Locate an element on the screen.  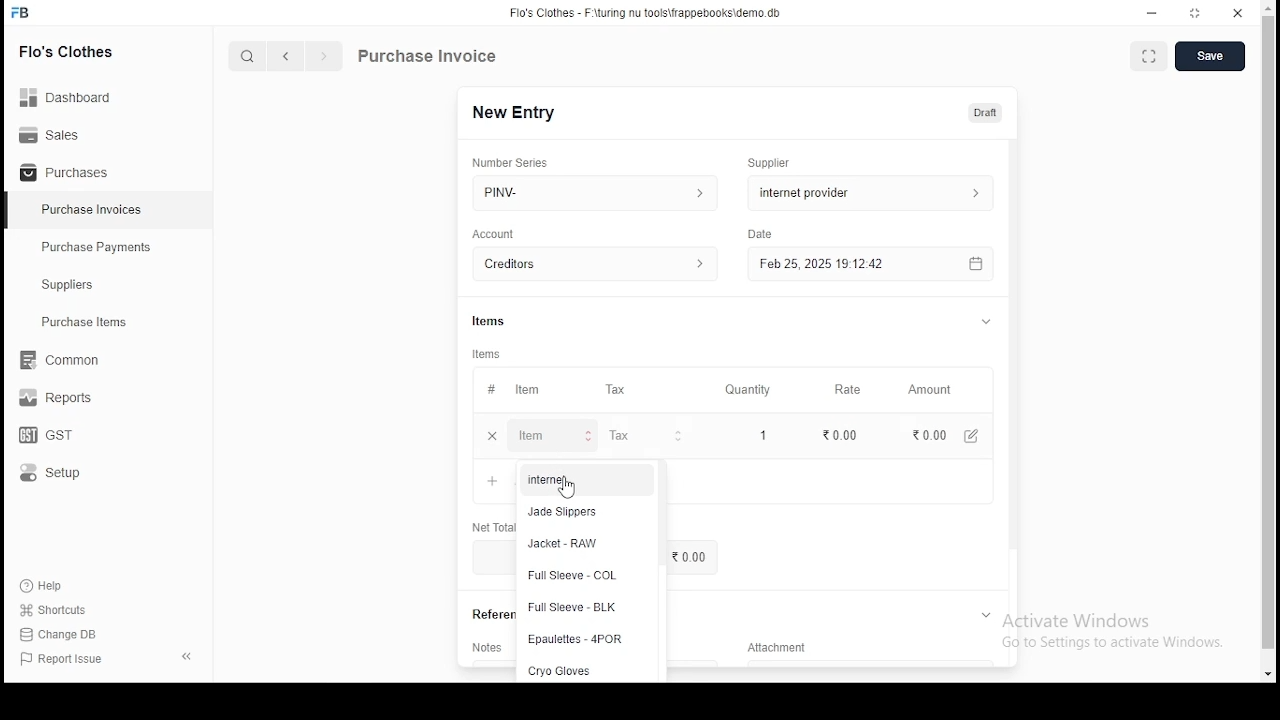
common is located at coordinates (65, 360).